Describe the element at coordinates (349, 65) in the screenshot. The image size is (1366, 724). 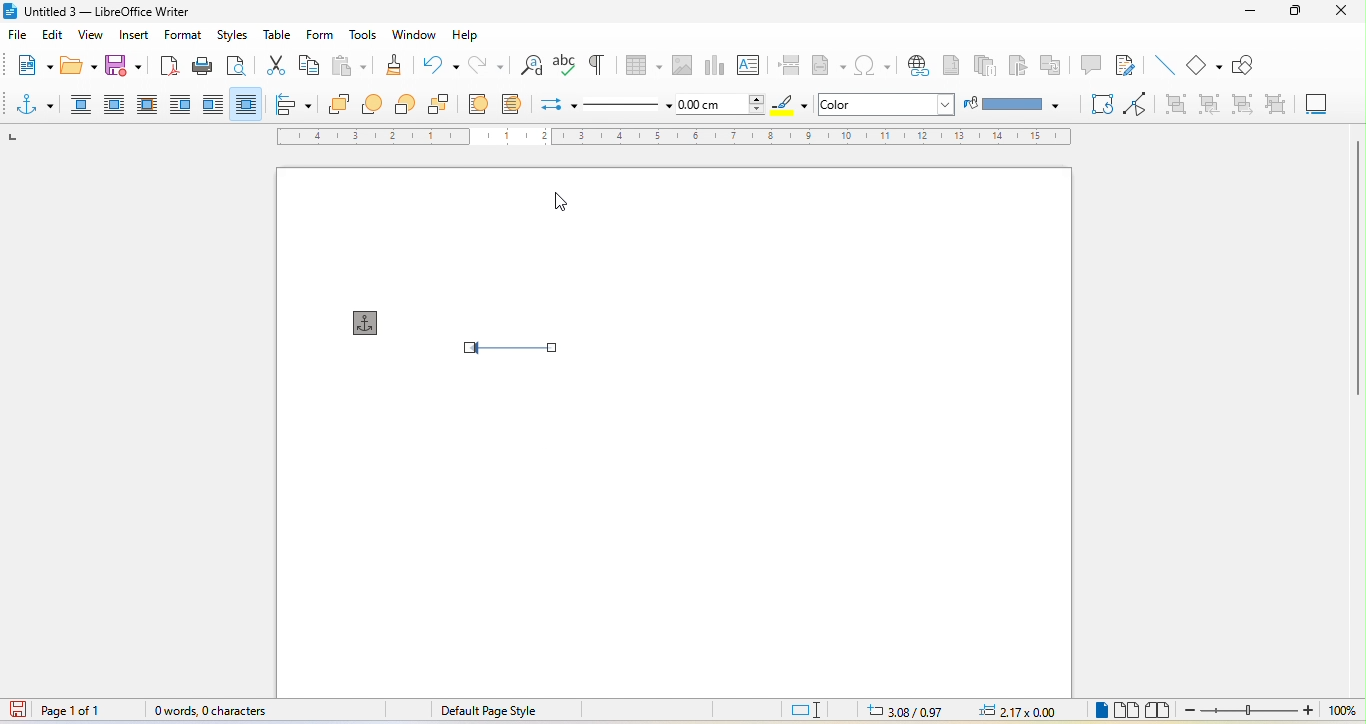
I see `paste` at that location.